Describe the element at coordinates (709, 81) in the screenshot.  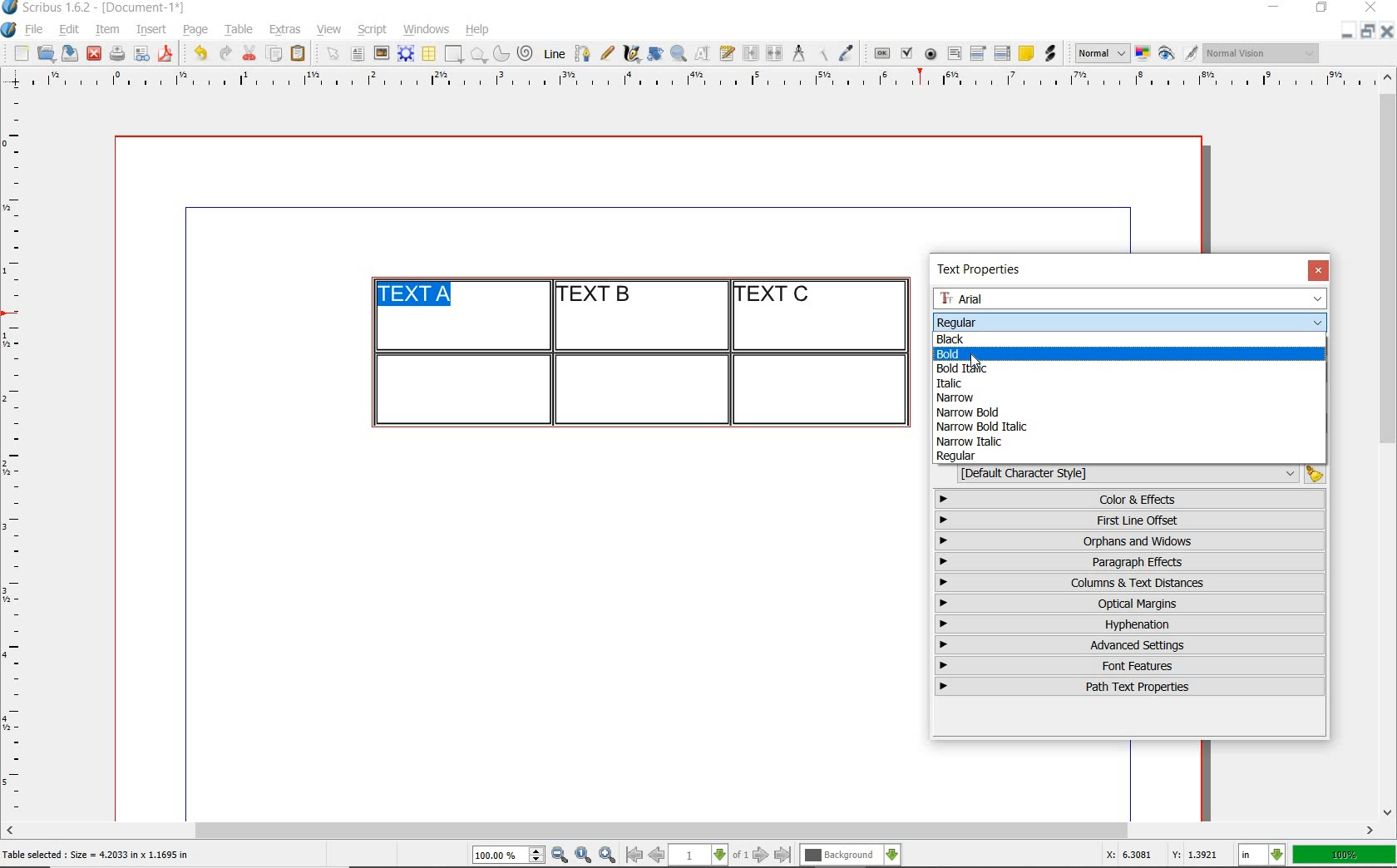
I see `ruler` at that location.